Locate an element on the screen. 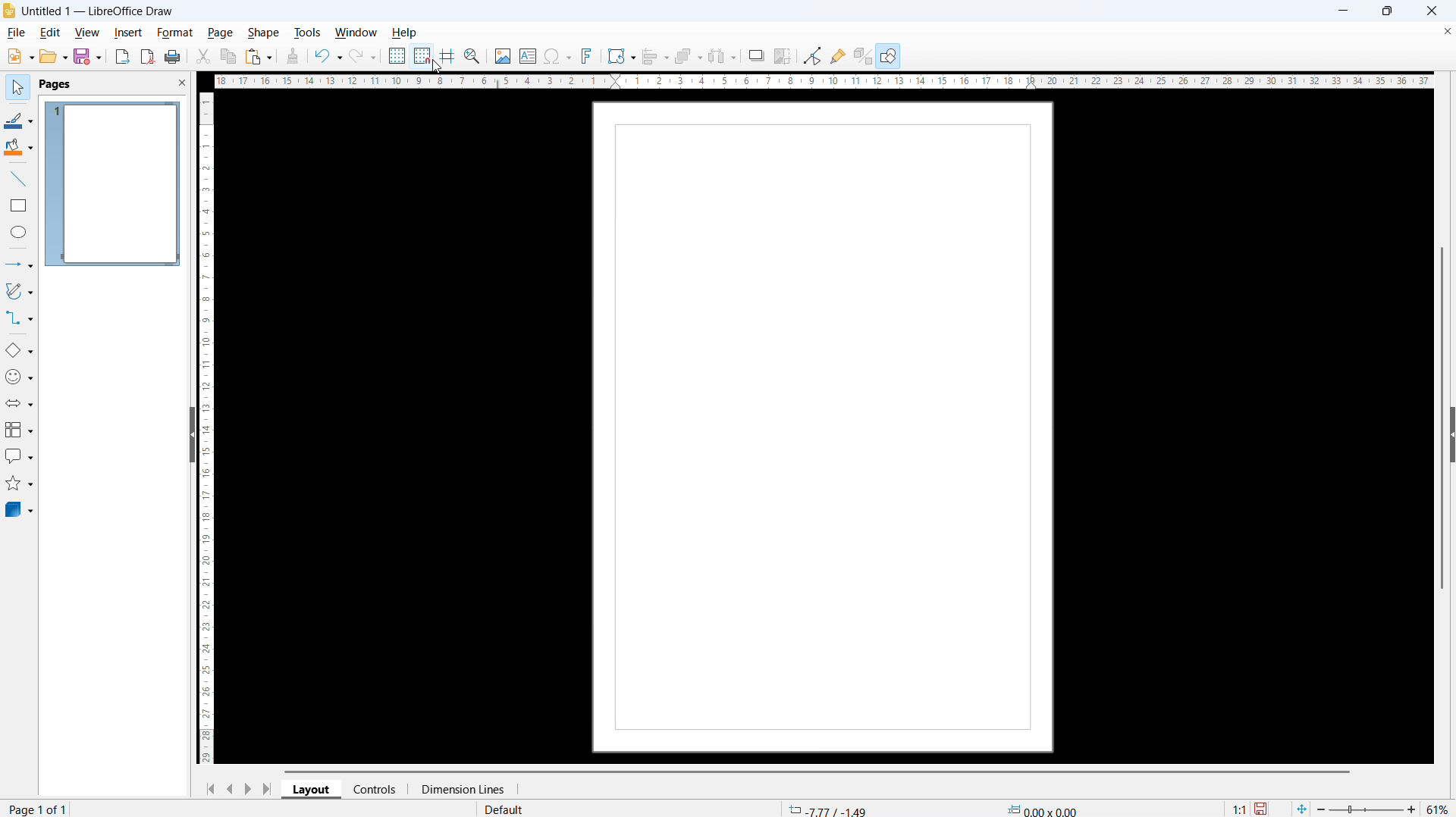 The image size is (1456, 817). redo  is located at coordinates (362, 56).